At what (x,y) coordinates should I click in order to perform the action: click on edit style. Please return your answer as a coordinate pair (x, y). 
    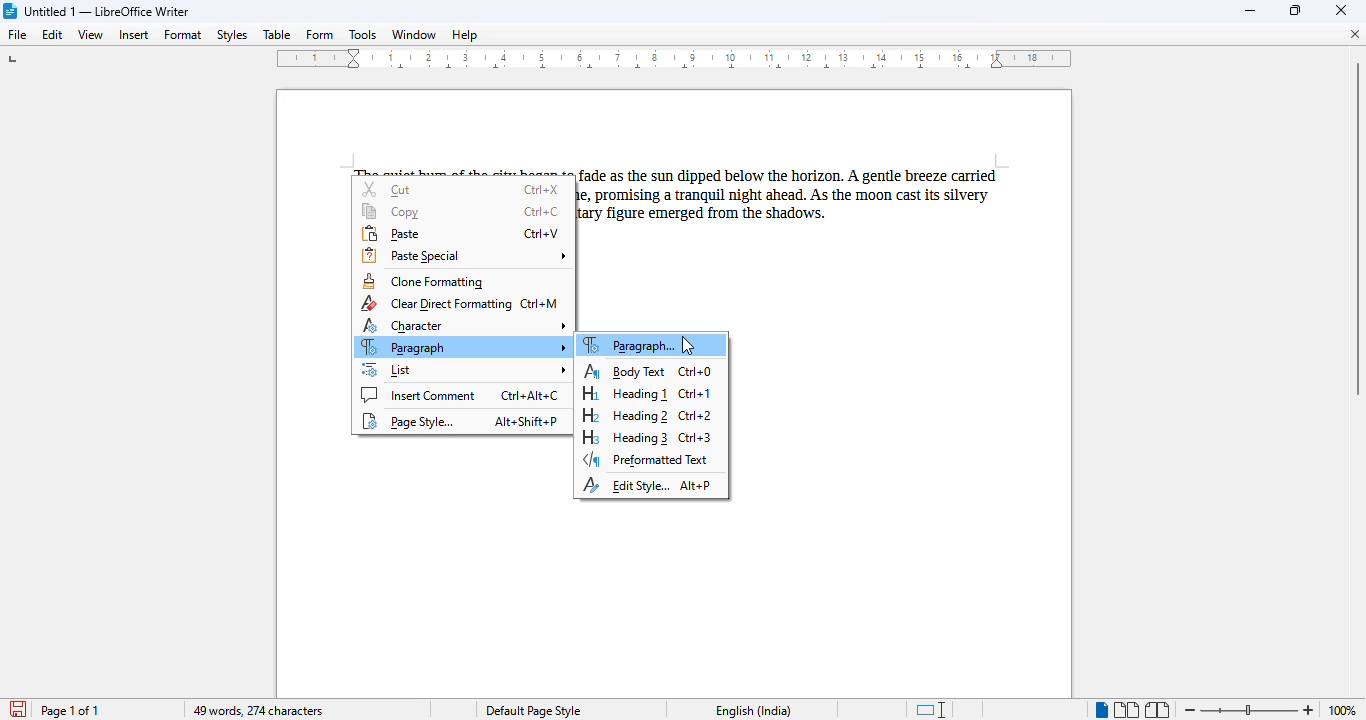
    Looking at the image, I should click on (647, 485).